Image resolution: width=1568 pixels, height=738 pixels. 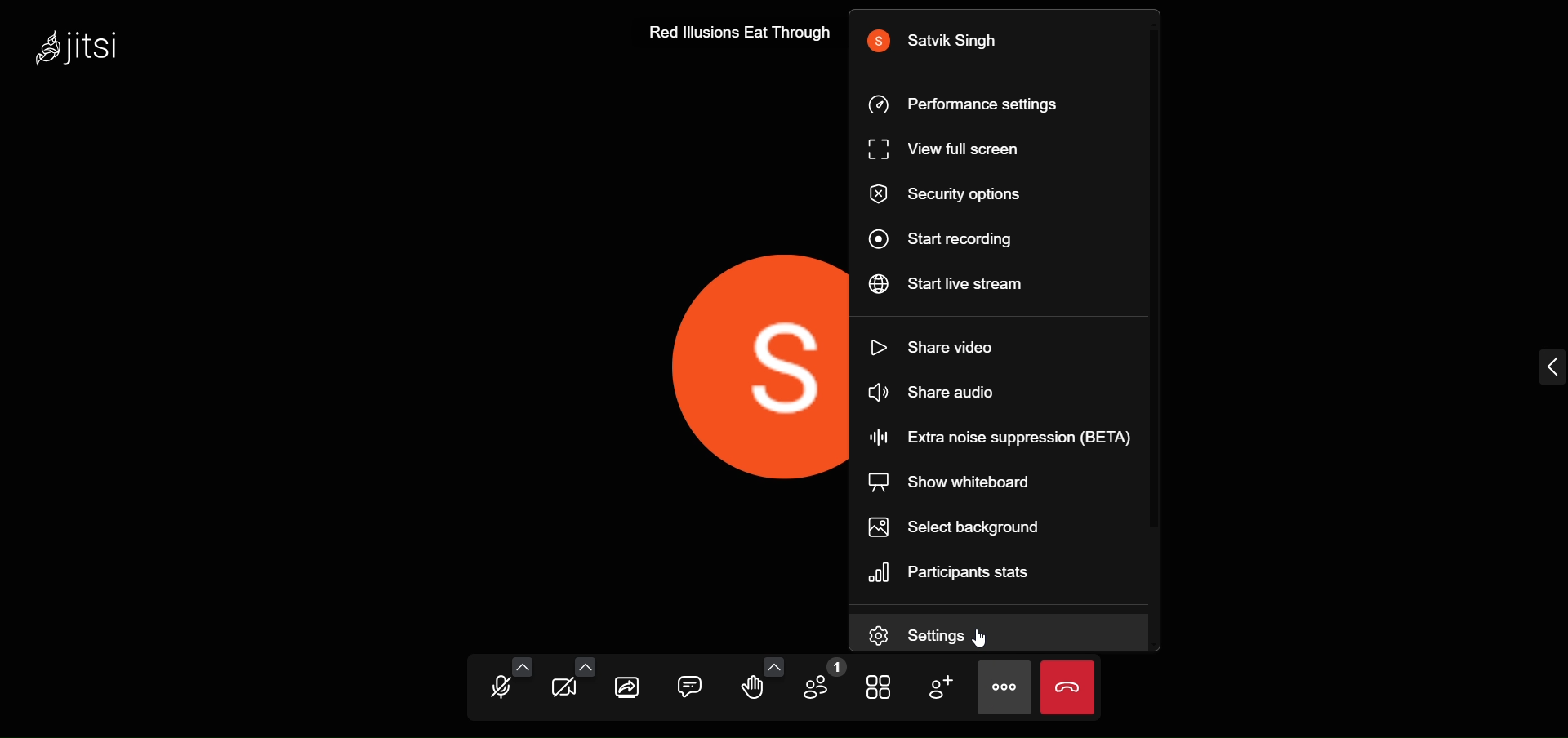 I want to click on participants, so click(x=817, y=683).